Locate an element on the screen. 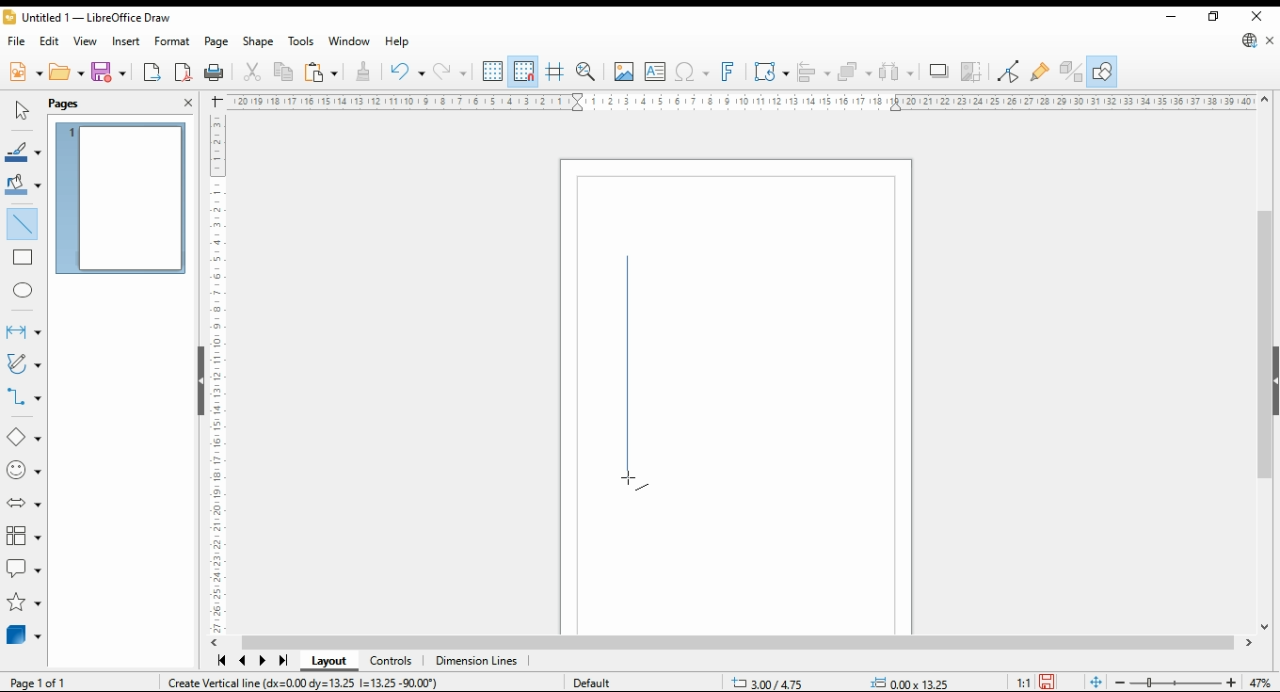 Image resolution: width=1280 pixels, height=692 pixels. ellipse is located at coordinates (23, 288).